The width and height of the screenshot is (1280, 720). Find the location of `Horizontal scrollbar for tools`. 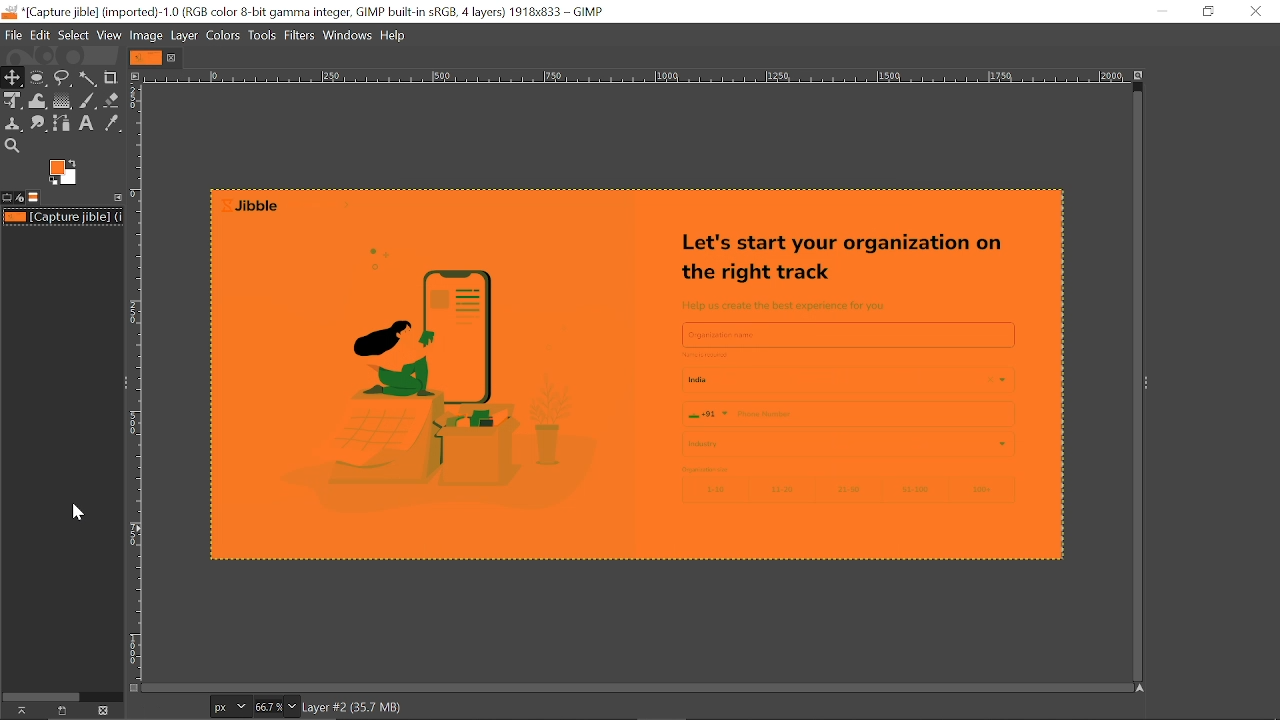

Horizontal scrollbar for tools is located at coordinates (41, 695).